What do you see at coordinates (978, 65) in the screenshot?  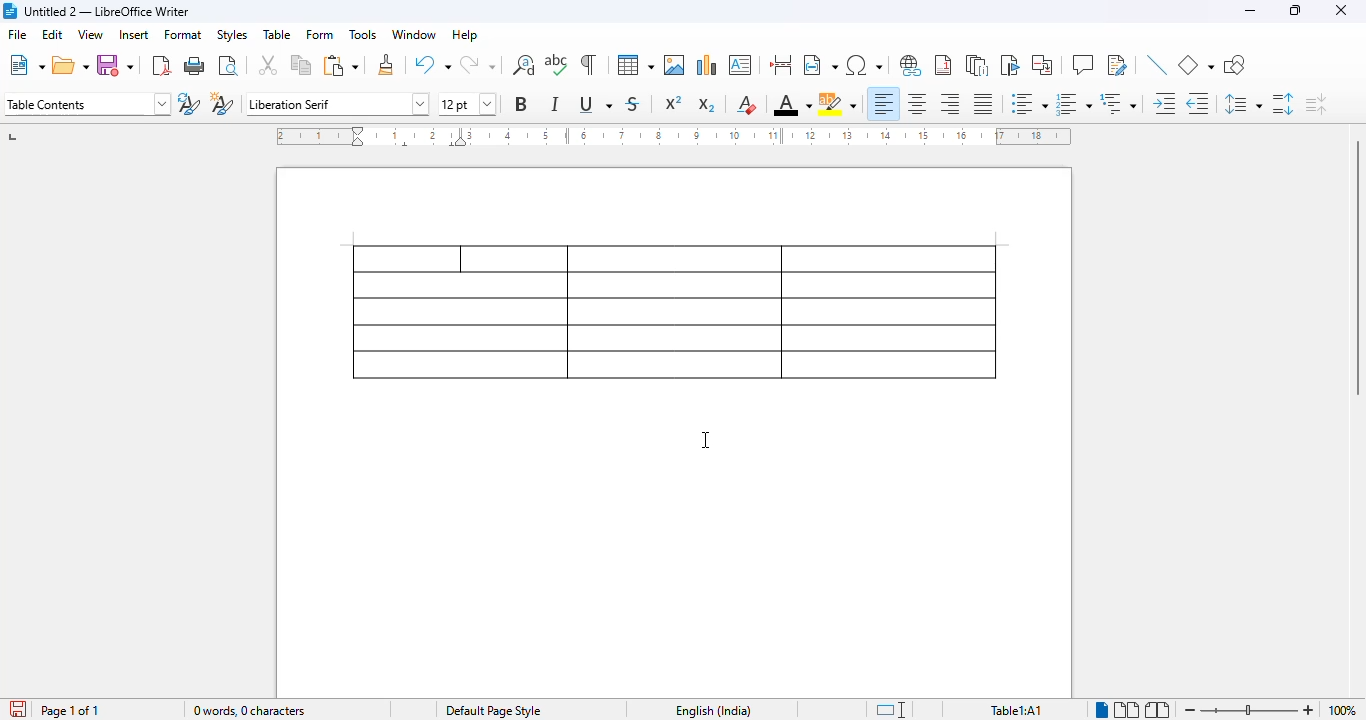 I see `insert endnote` at bounding box center [978, 65].